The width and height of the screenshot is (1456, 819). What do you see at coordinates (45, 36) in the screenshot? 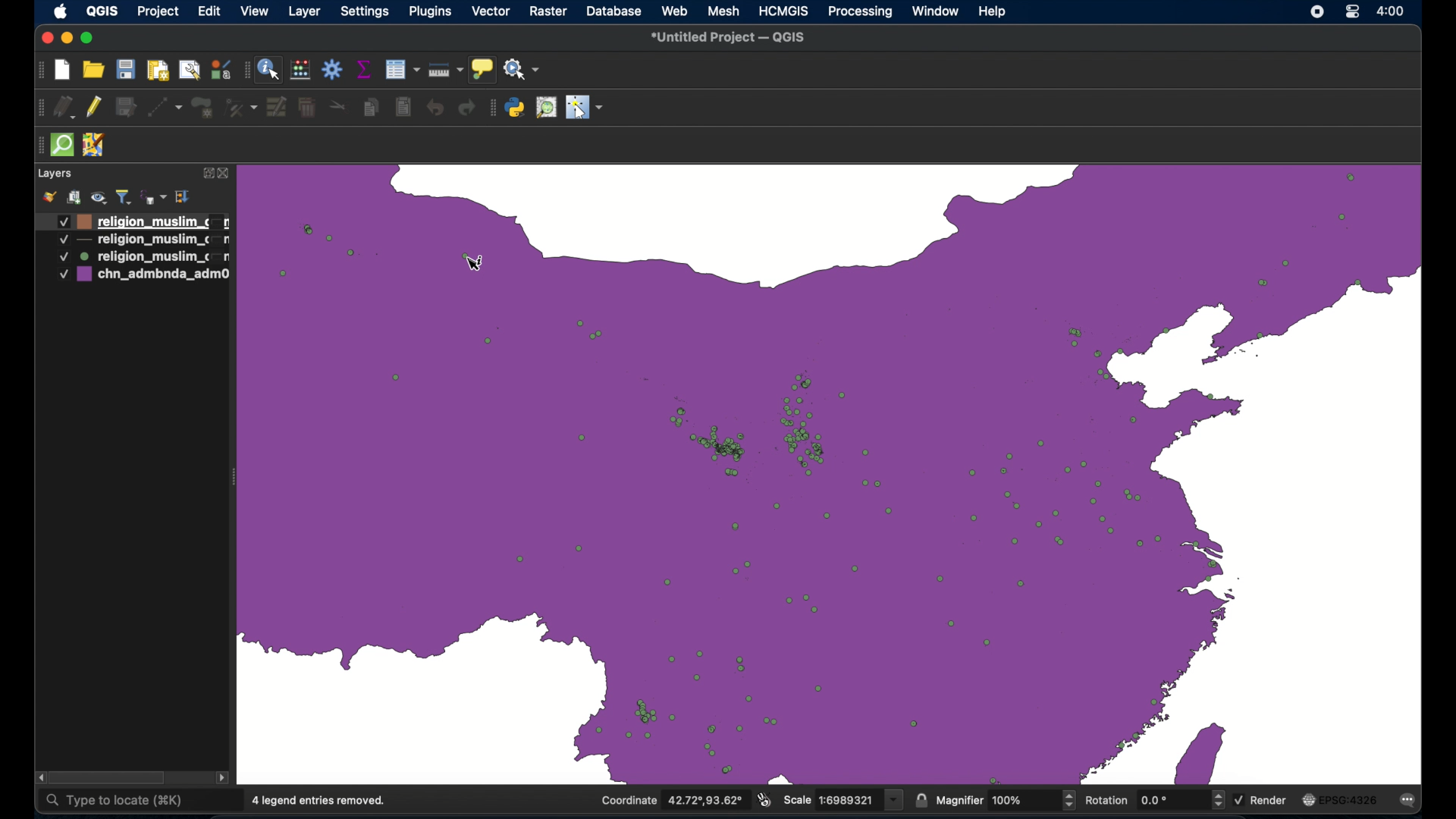
I see `close` at bounding box center [45, 36].